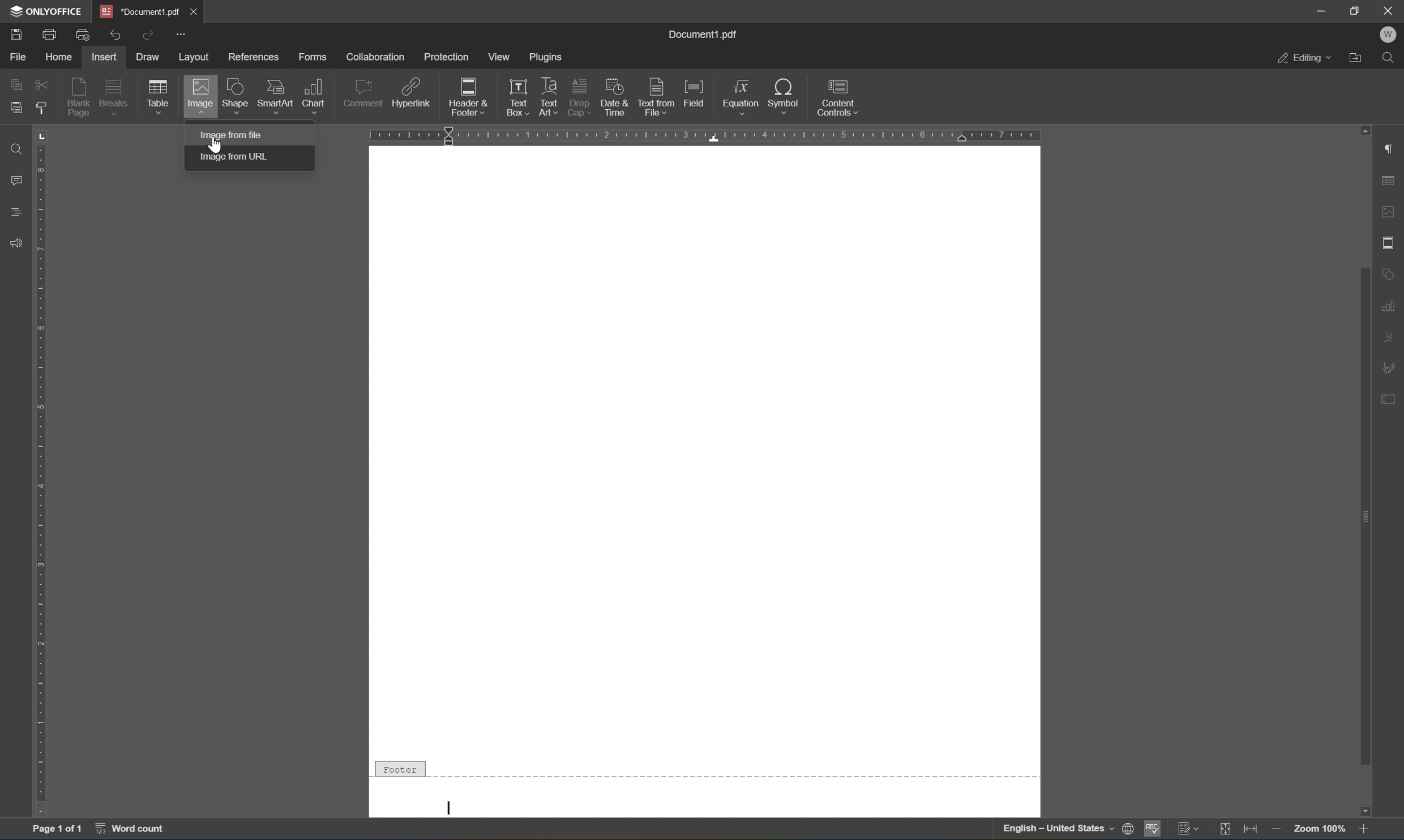 The height and width of the screenshot is (840, 1404). What do you see at coordinates (1187, 829) in the screenshot?
I see `track changes` at bounding box center [1187, 829].